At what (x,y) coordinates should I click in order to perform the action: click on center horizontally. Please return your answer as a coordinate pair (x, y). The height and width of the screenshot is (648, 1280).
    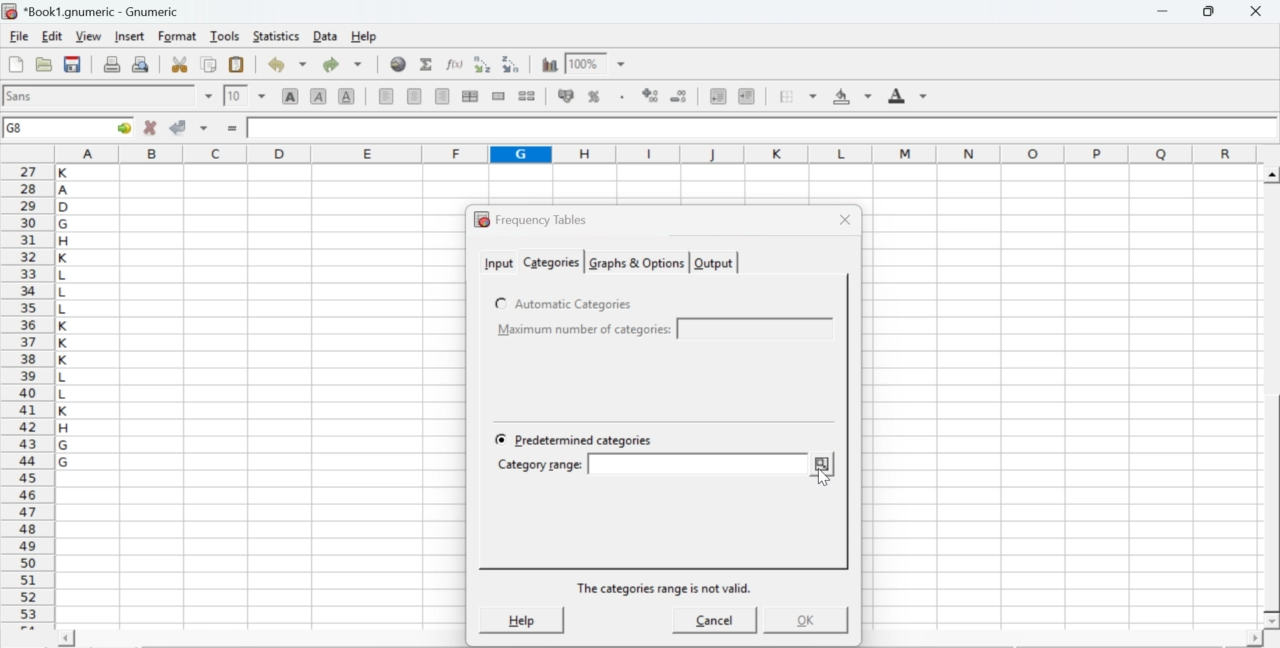
    Looking at the image, I should click on (470, 96).